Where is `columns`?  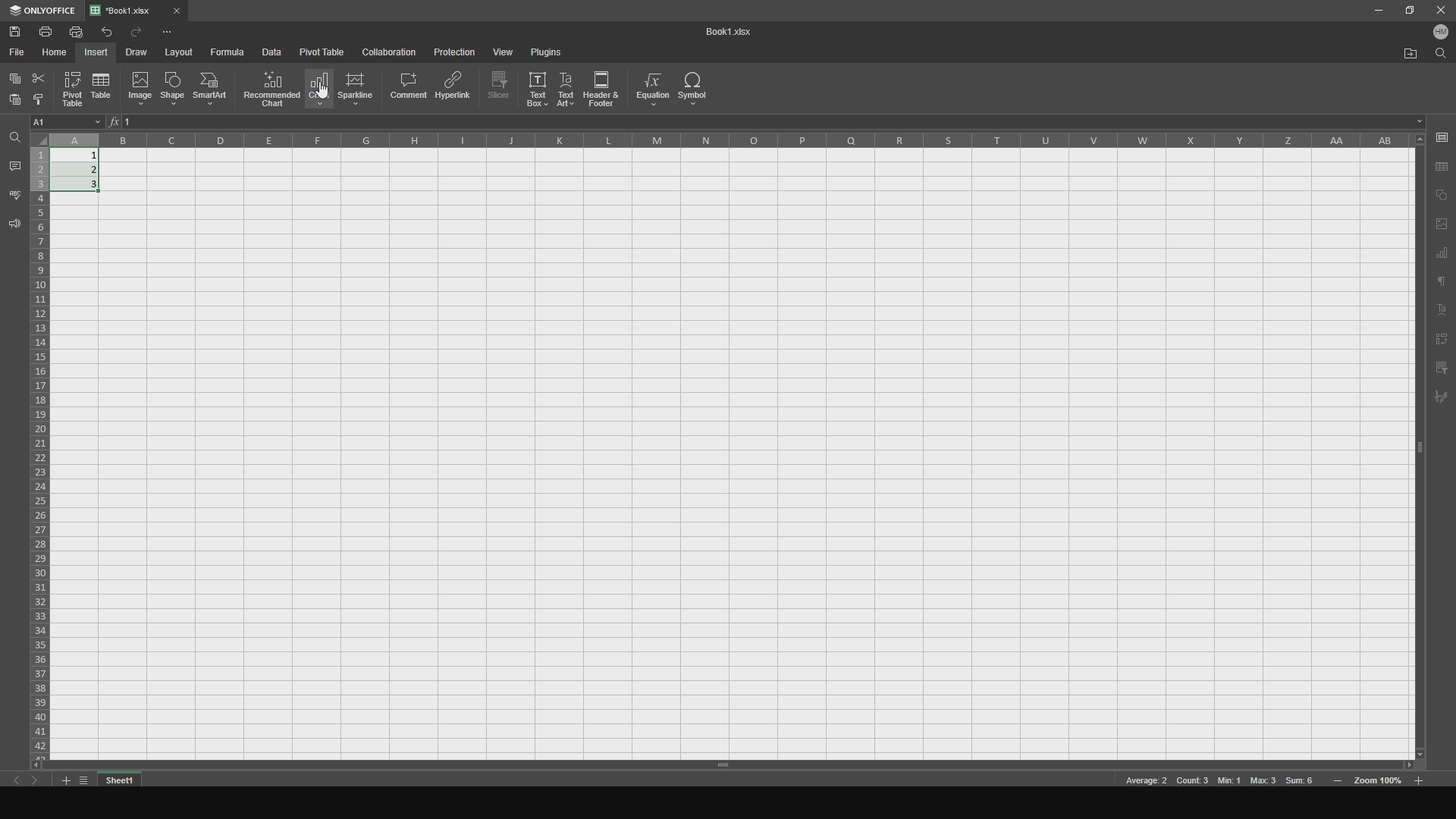
columns is located at coordinates (733, 140).